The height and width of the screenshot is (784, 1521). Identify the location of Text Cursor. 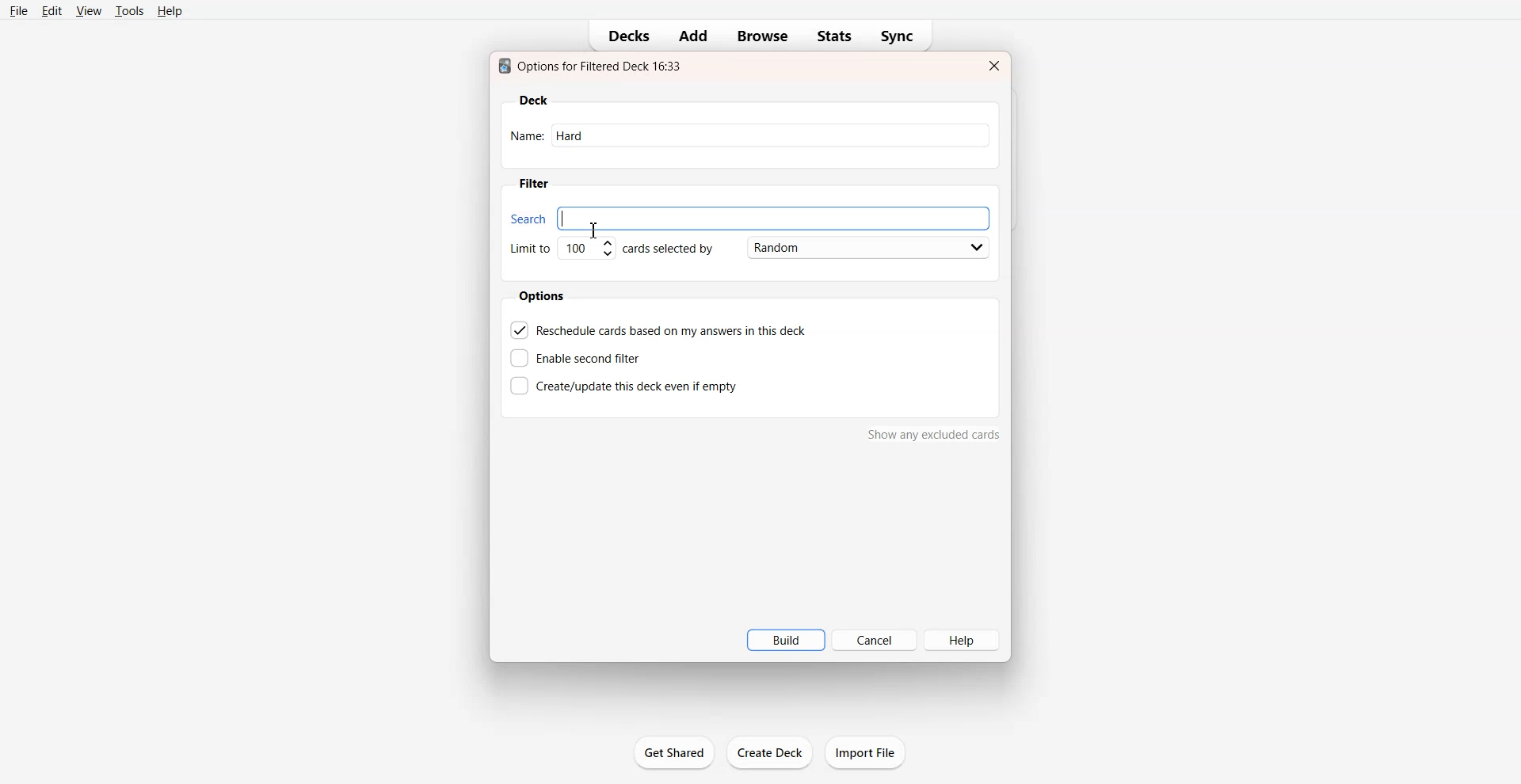
(595, 230).